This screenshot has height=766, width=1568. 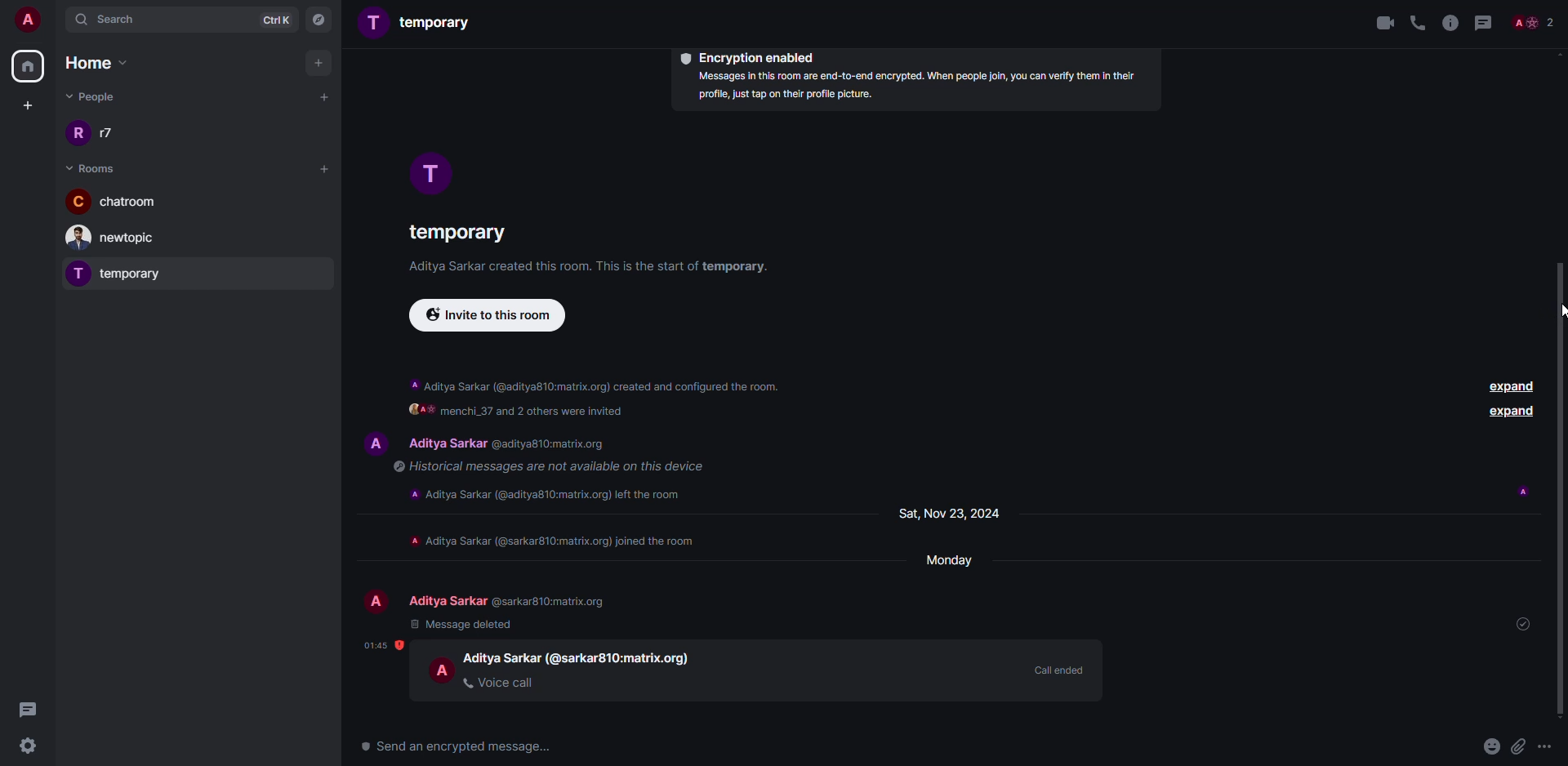 I want to click on search, so click(x=119, y=19).